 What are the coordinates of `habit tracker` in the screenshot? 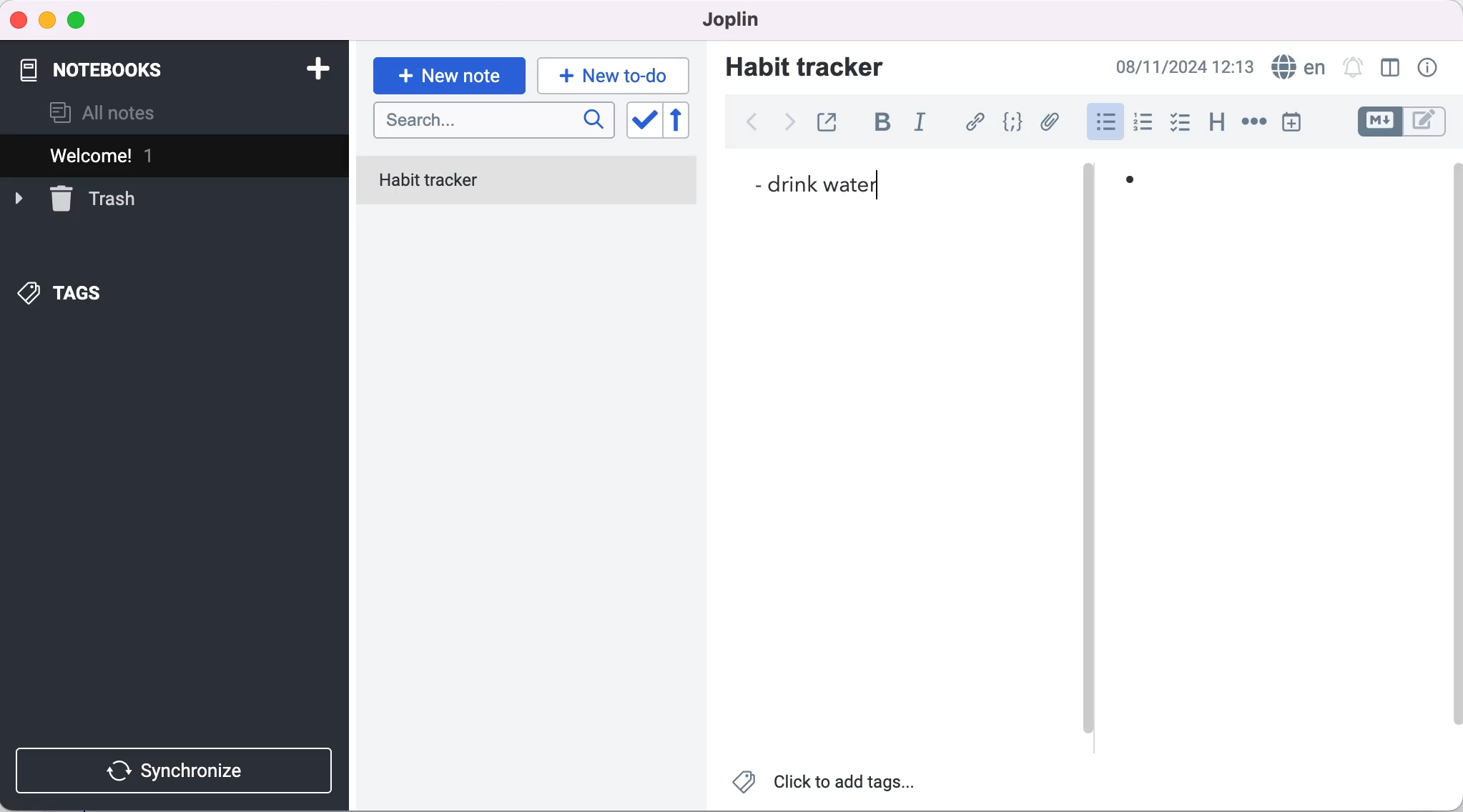 It's located at (527, 182).